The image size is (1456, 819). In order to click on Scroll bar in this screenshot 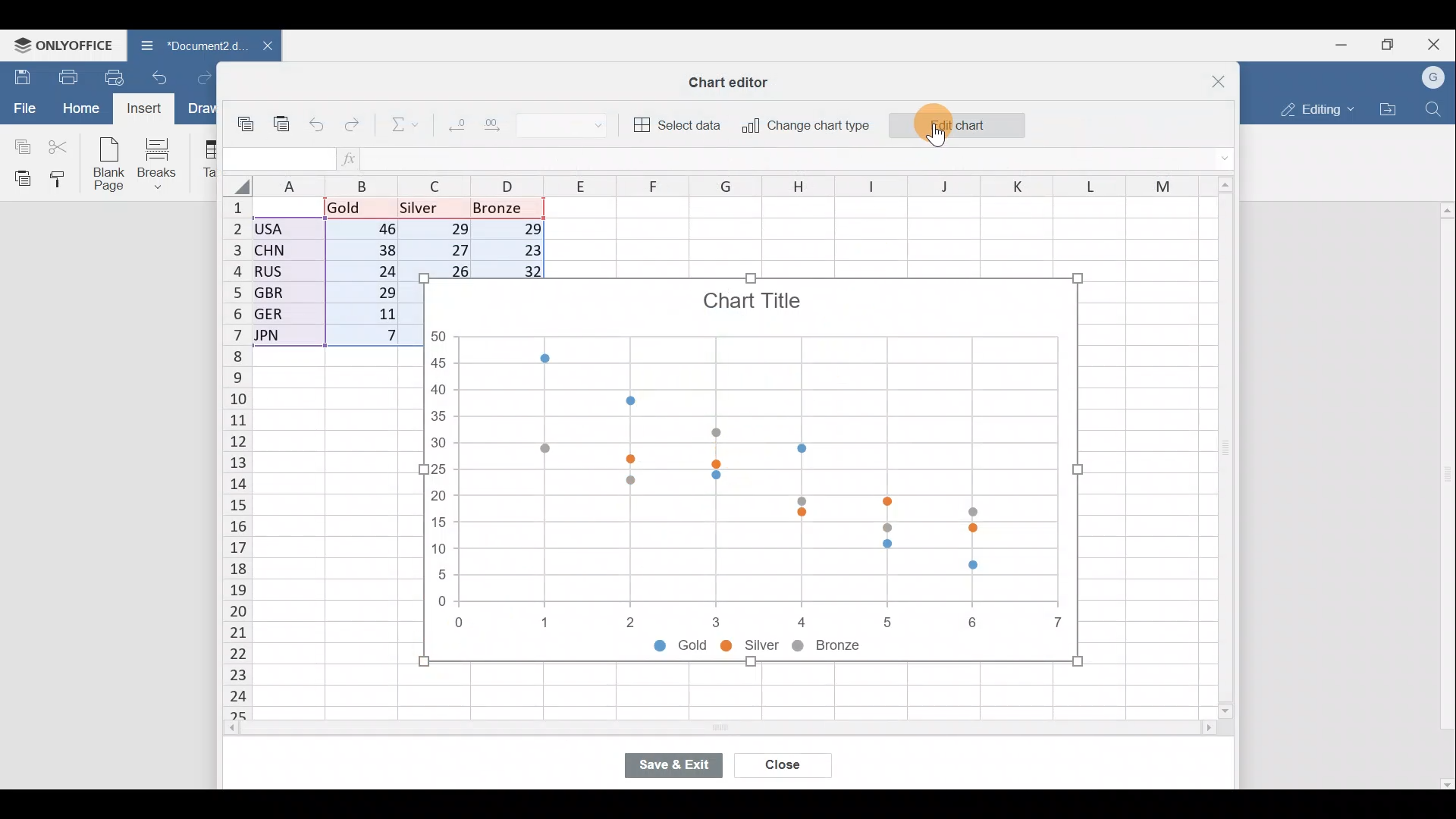, I will do `click(1444, 495)`.